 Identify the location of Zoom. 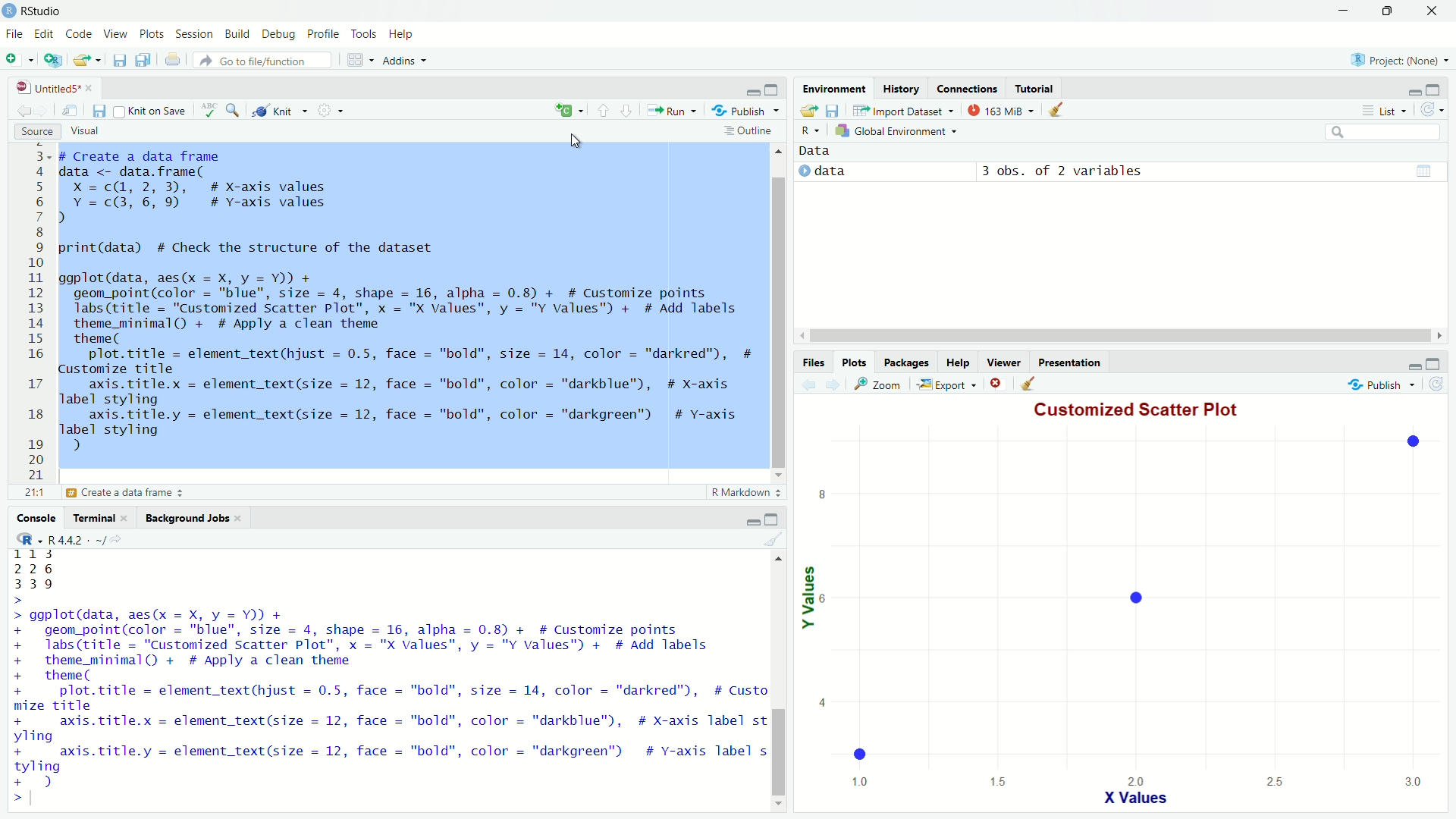
(877, 385).